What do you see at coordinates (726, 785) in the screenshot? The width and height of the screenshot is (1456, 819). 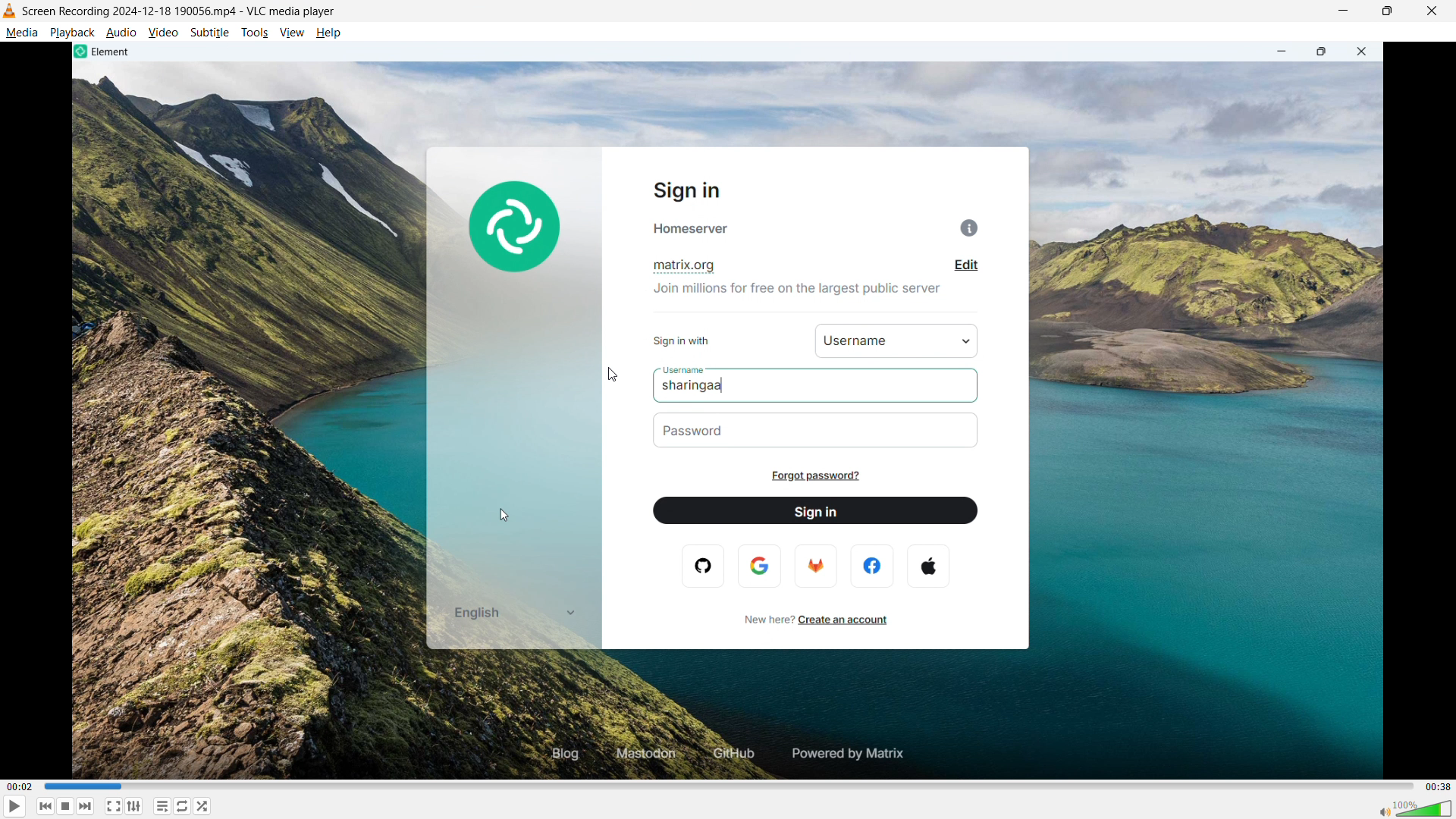 I see `time bar` at bounding box center [726, 785].